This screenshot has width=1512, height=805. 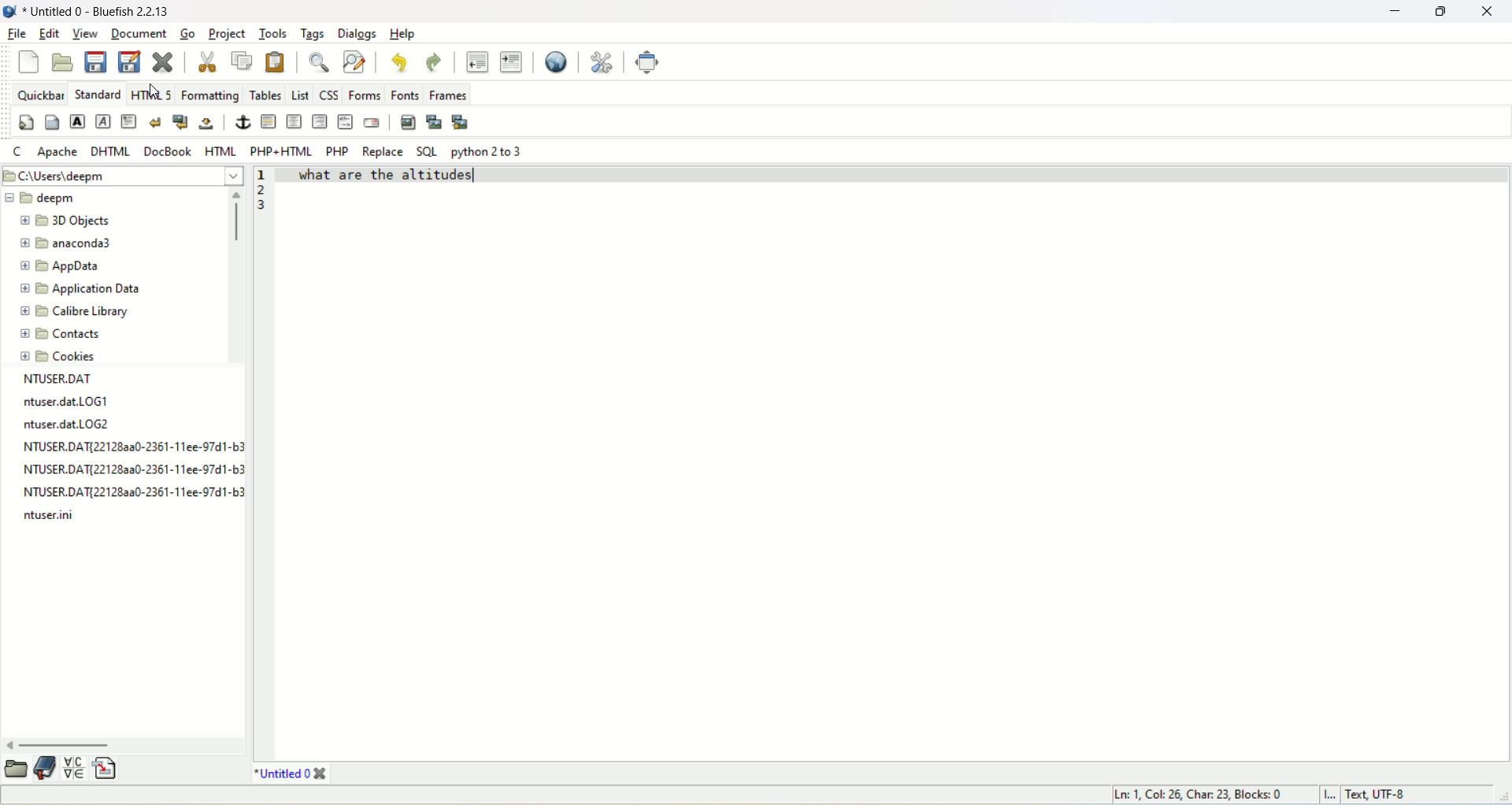 What do you see at coordinates (98, 94) in the screenshot?
I see `Standard` at bounding box center [98, 94].